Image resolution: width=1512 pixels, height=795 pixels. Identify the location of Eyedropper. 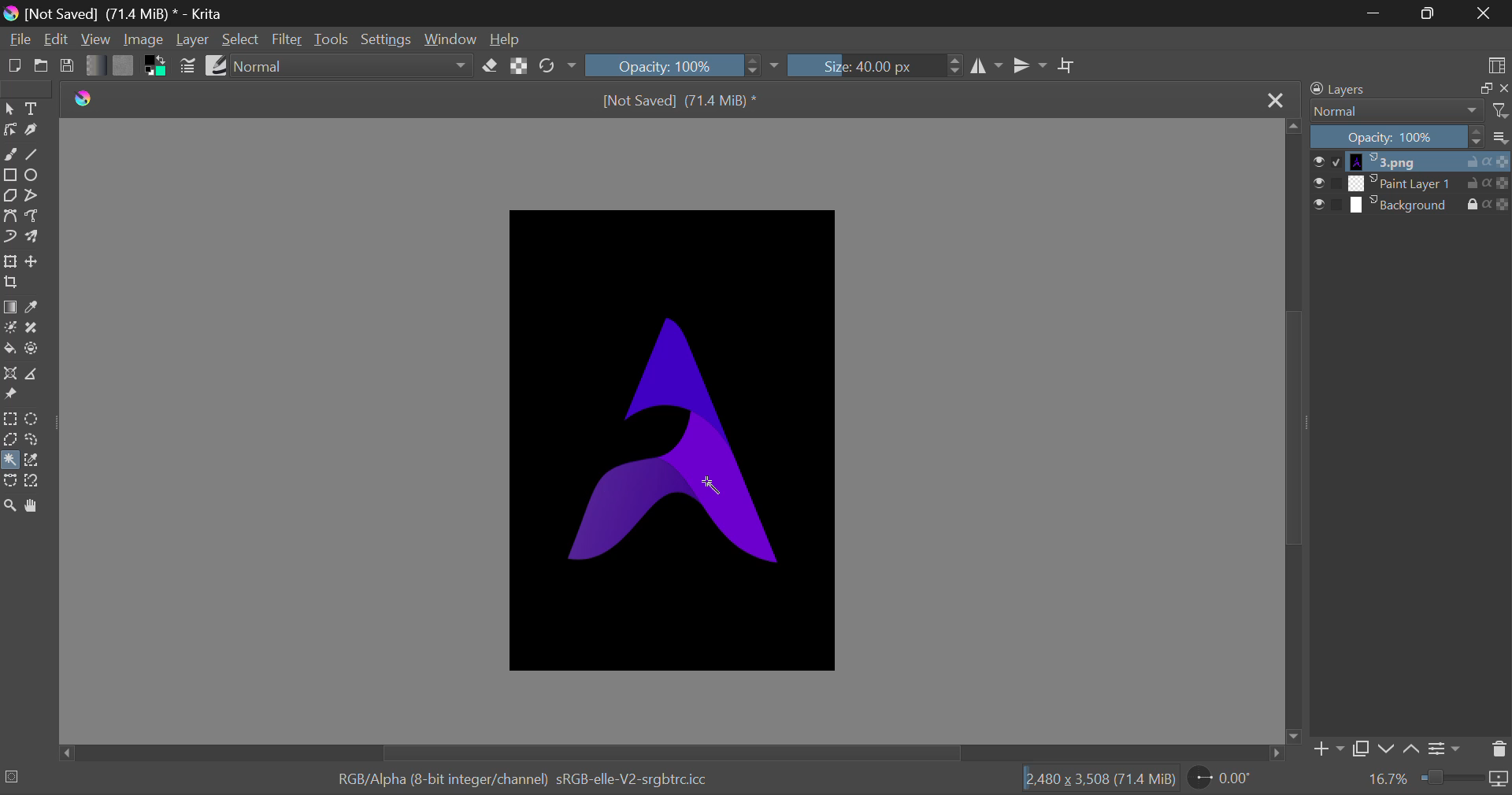
(36, 309).